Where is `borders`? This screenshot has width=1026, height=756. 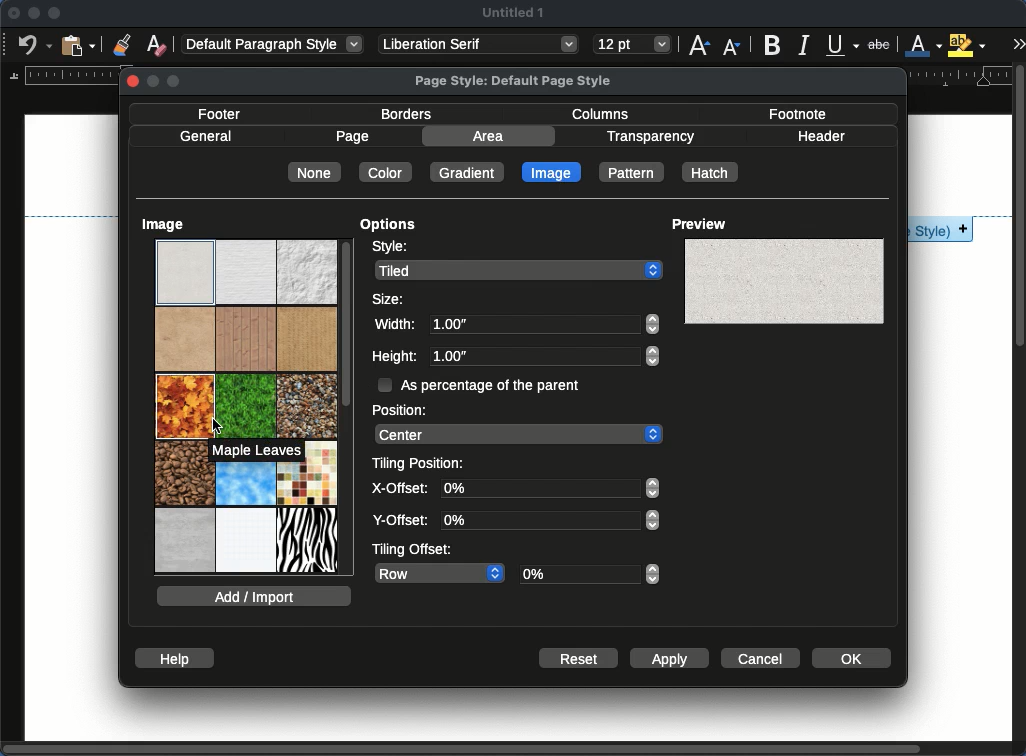 borders is located at coordinates (407, 115).